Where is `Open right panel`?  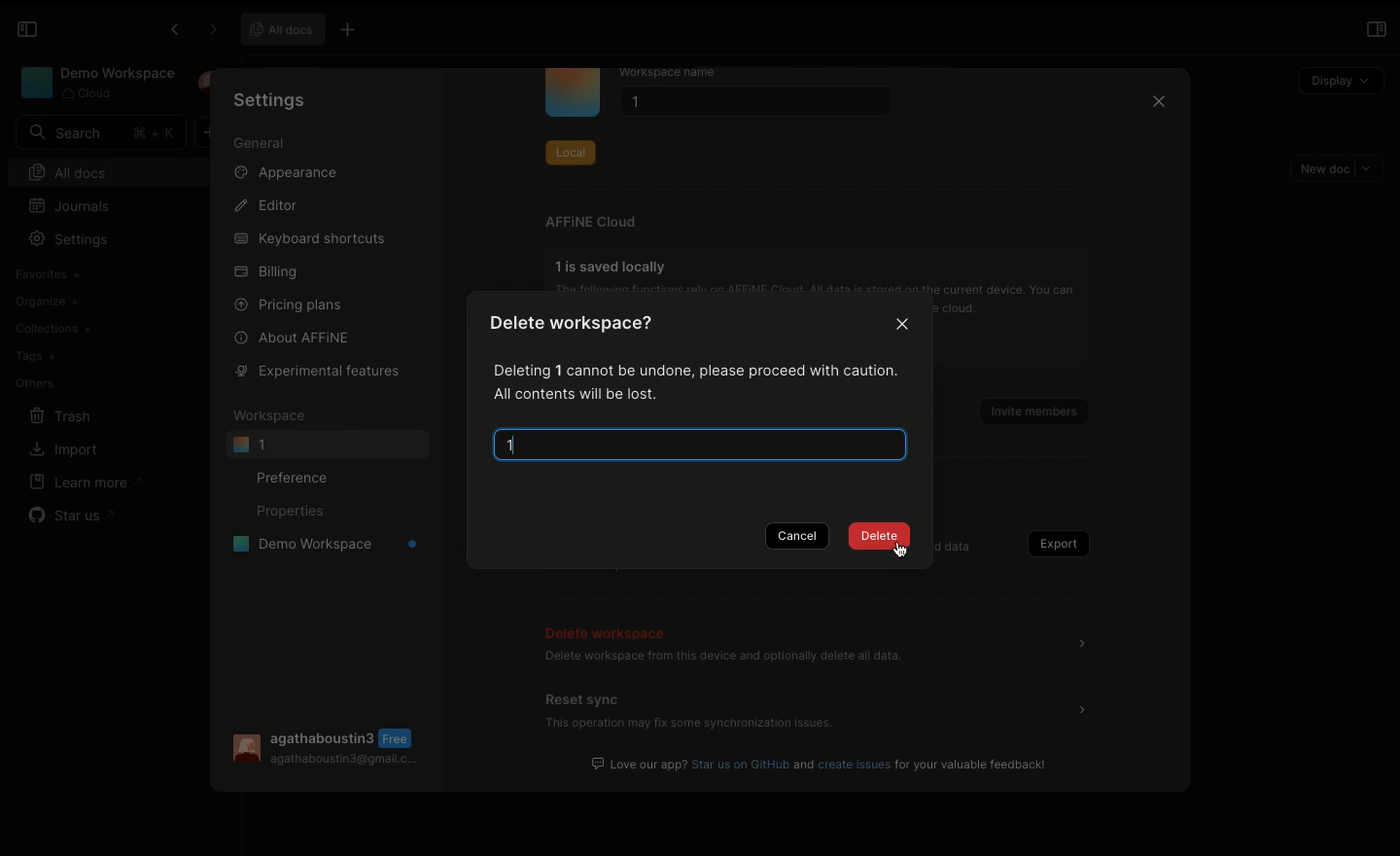 Open right panel is located at coordinates (1376, 29).